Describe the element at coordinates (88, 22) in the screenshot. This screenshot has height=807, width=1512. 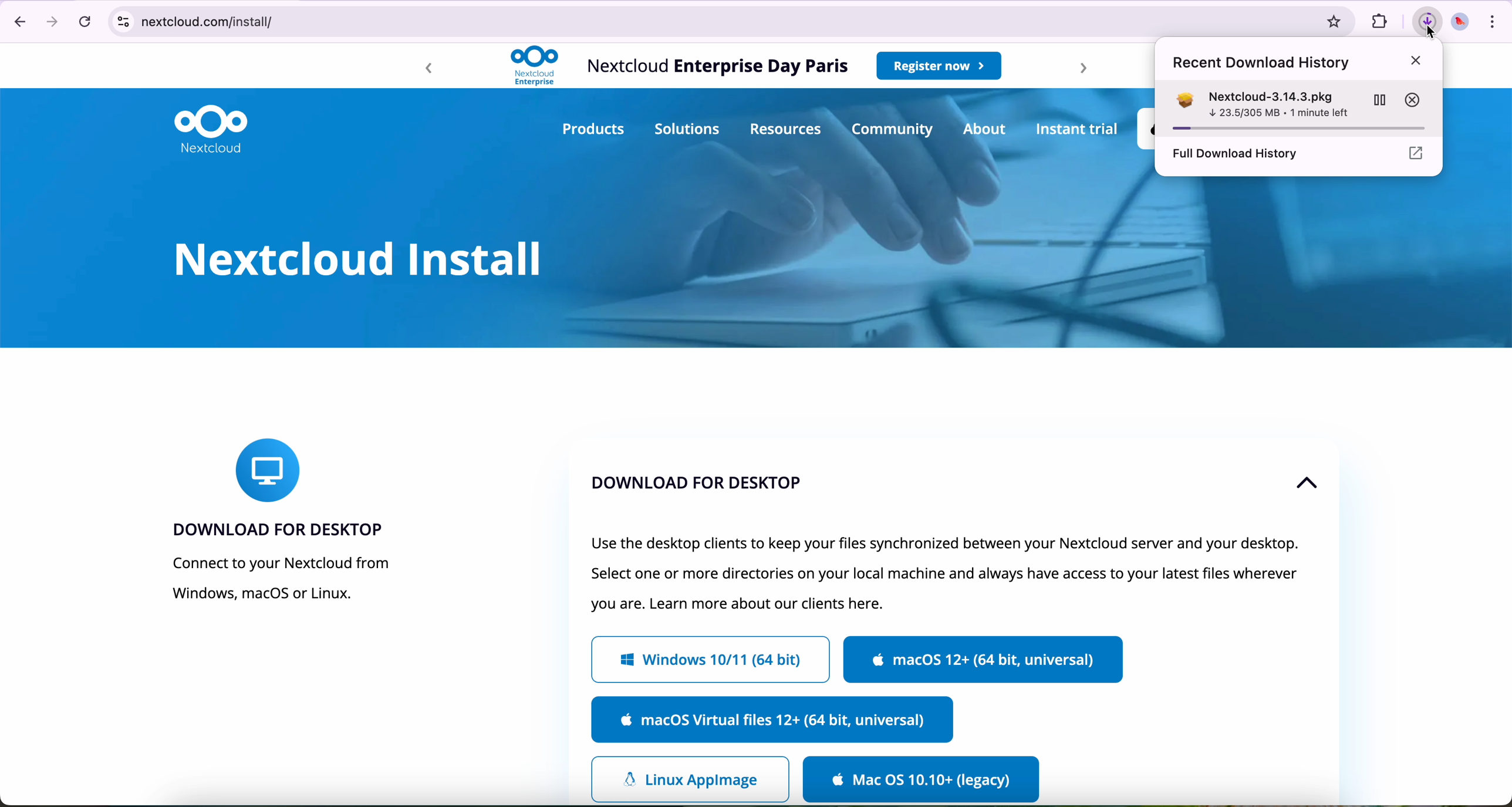
I see `refresh the page` at that location.